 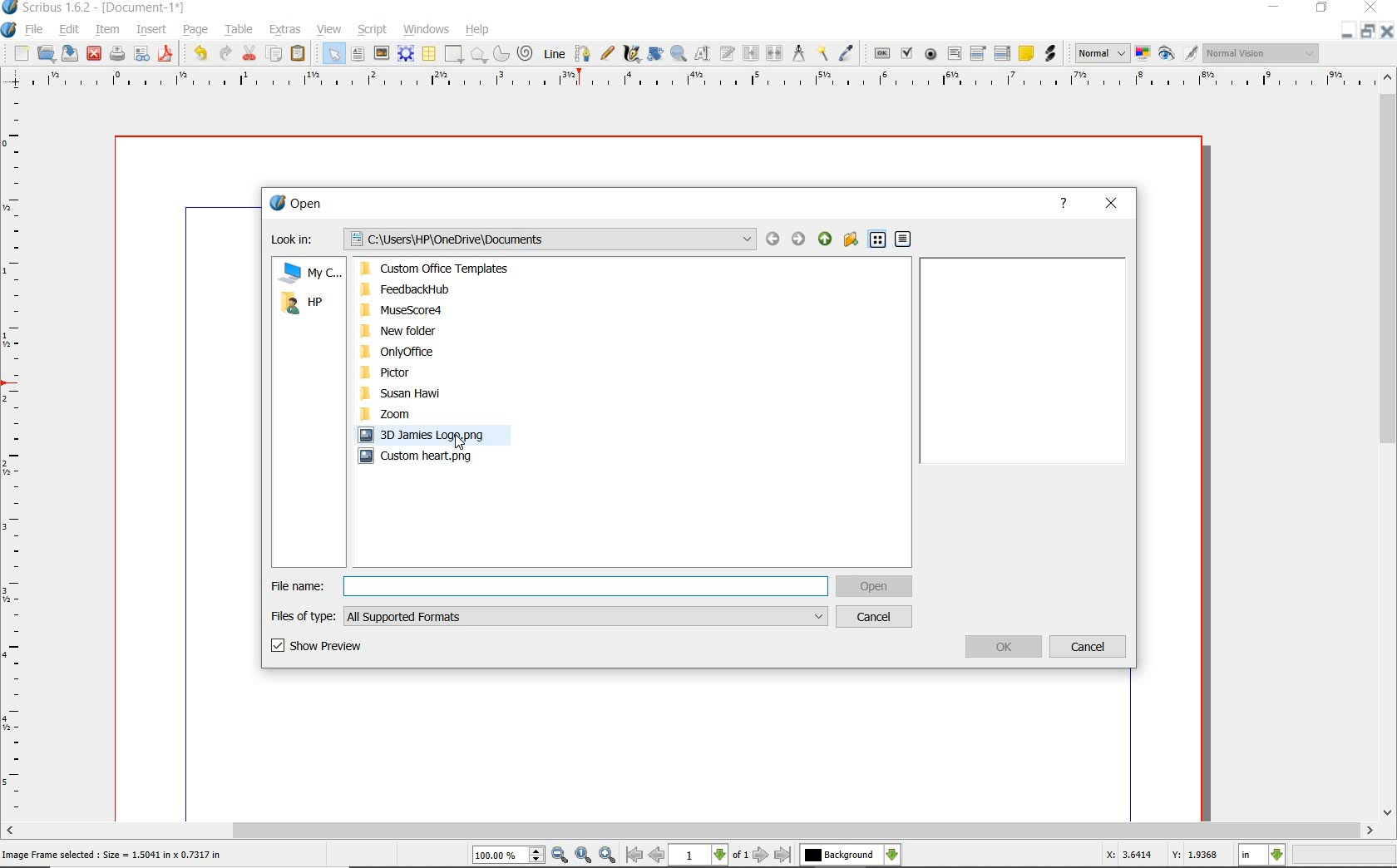 I want to click on select, so click(x=336, y=57).